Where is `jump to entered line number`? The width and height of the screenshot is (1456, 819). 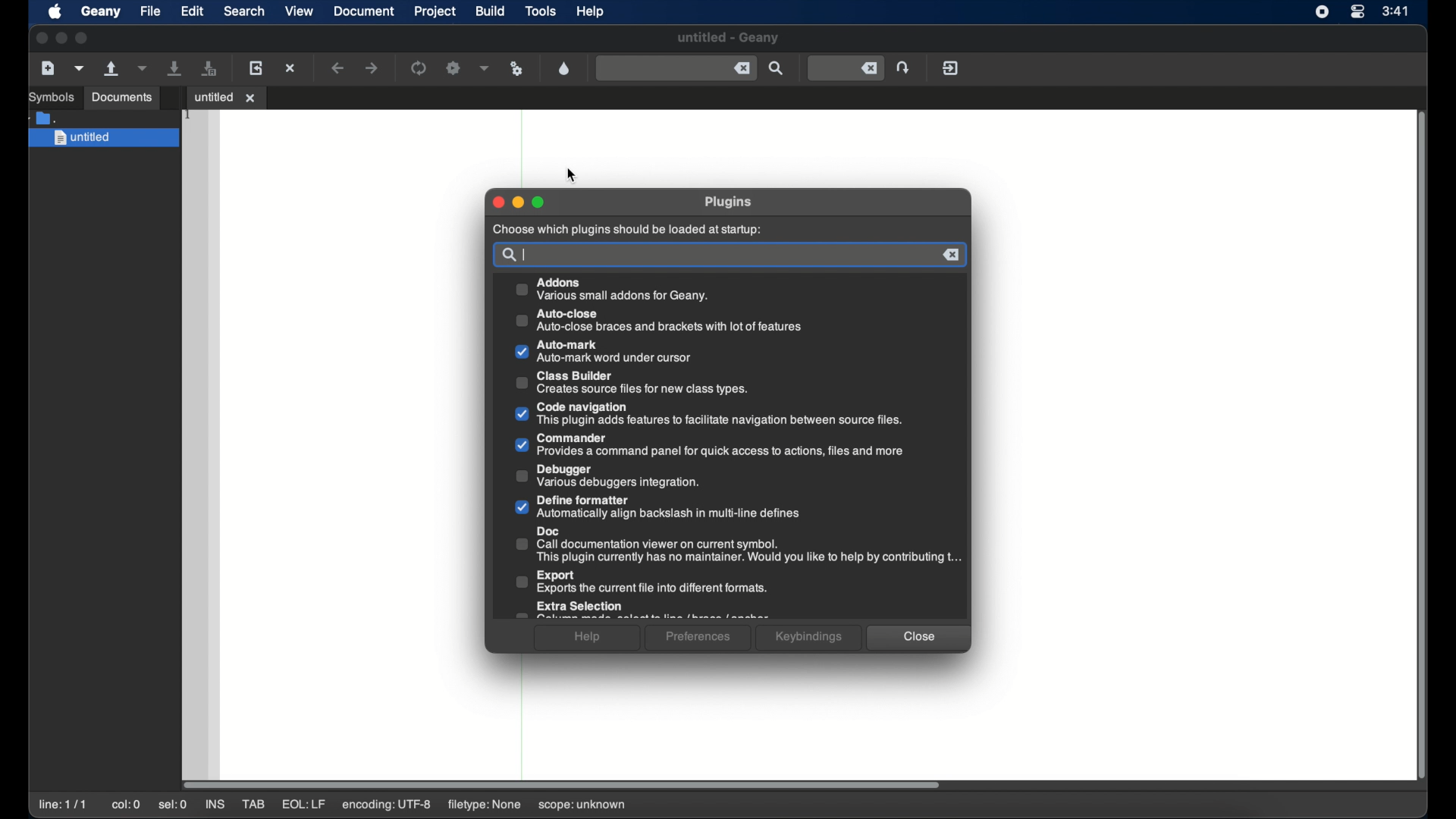 jump to entered line number is located at coordinates (903, 67).